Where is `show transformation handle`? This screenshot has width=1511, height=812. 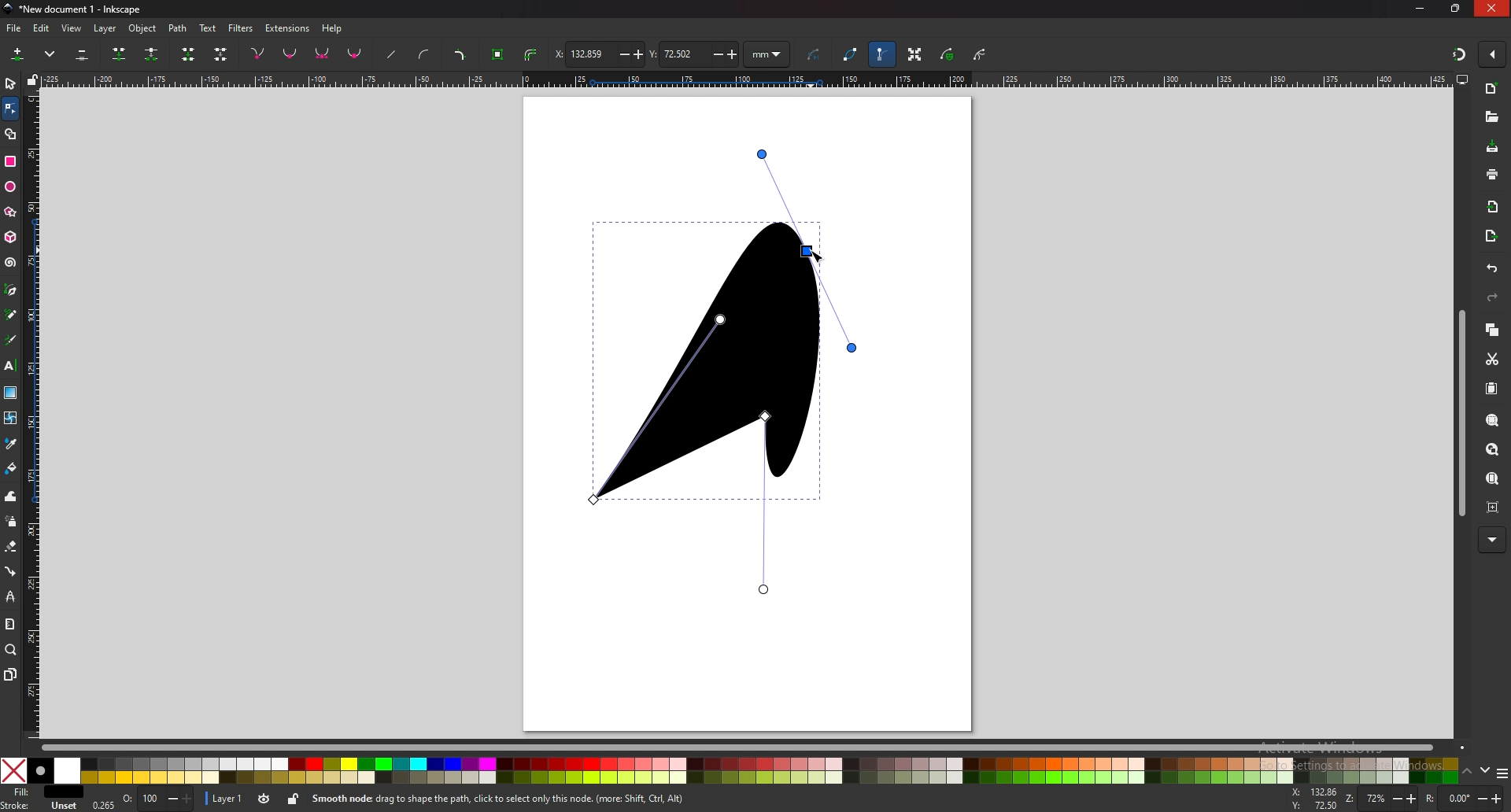
show transformation handle is located at coordinates (916, 55).